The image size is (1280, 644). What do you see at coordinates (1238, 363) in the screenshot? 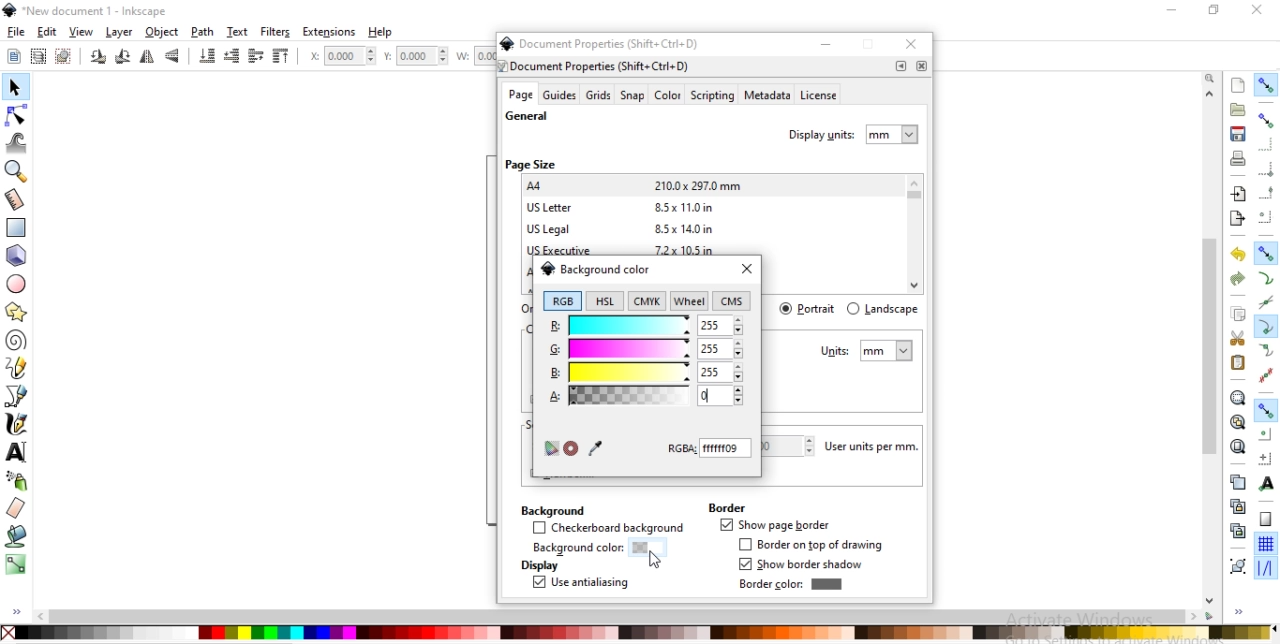
I see `paste` at bounding box center [1238, 363].